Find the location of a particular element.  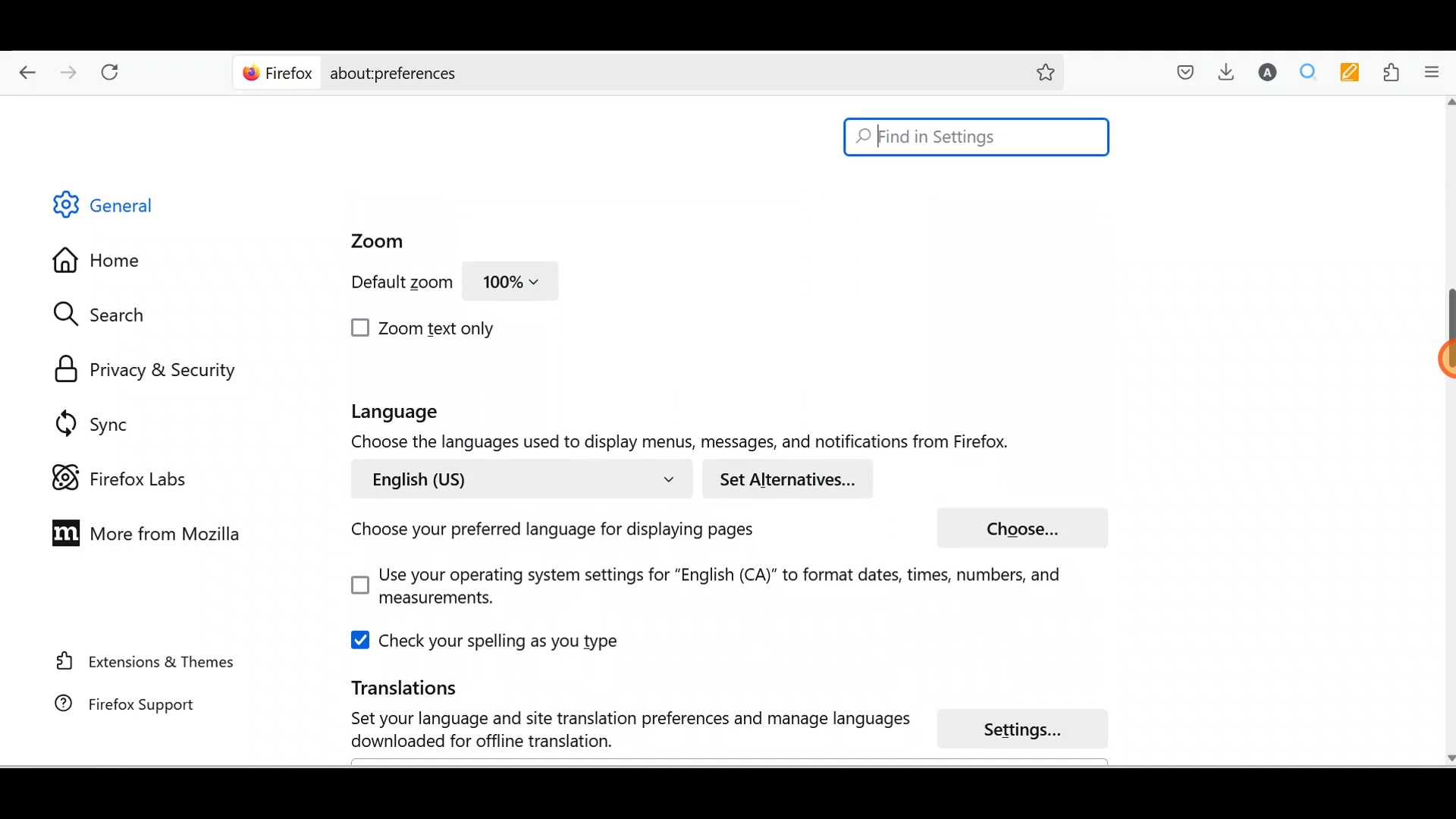

Firefox support is located at coordinates (115, 704).